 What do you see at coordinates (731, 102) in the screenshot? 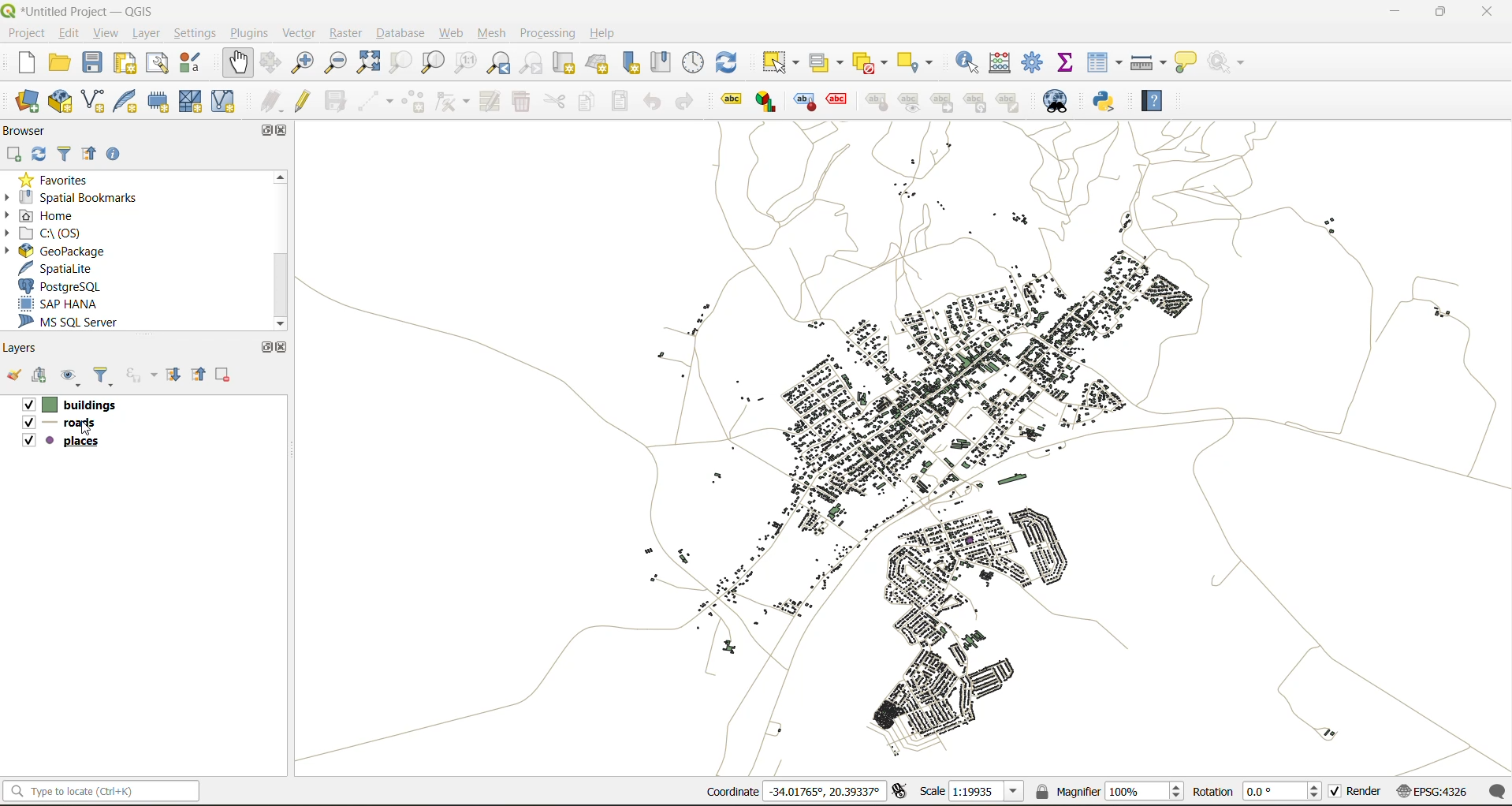
I see `layer labelling options` at bounding box center [731, 102].